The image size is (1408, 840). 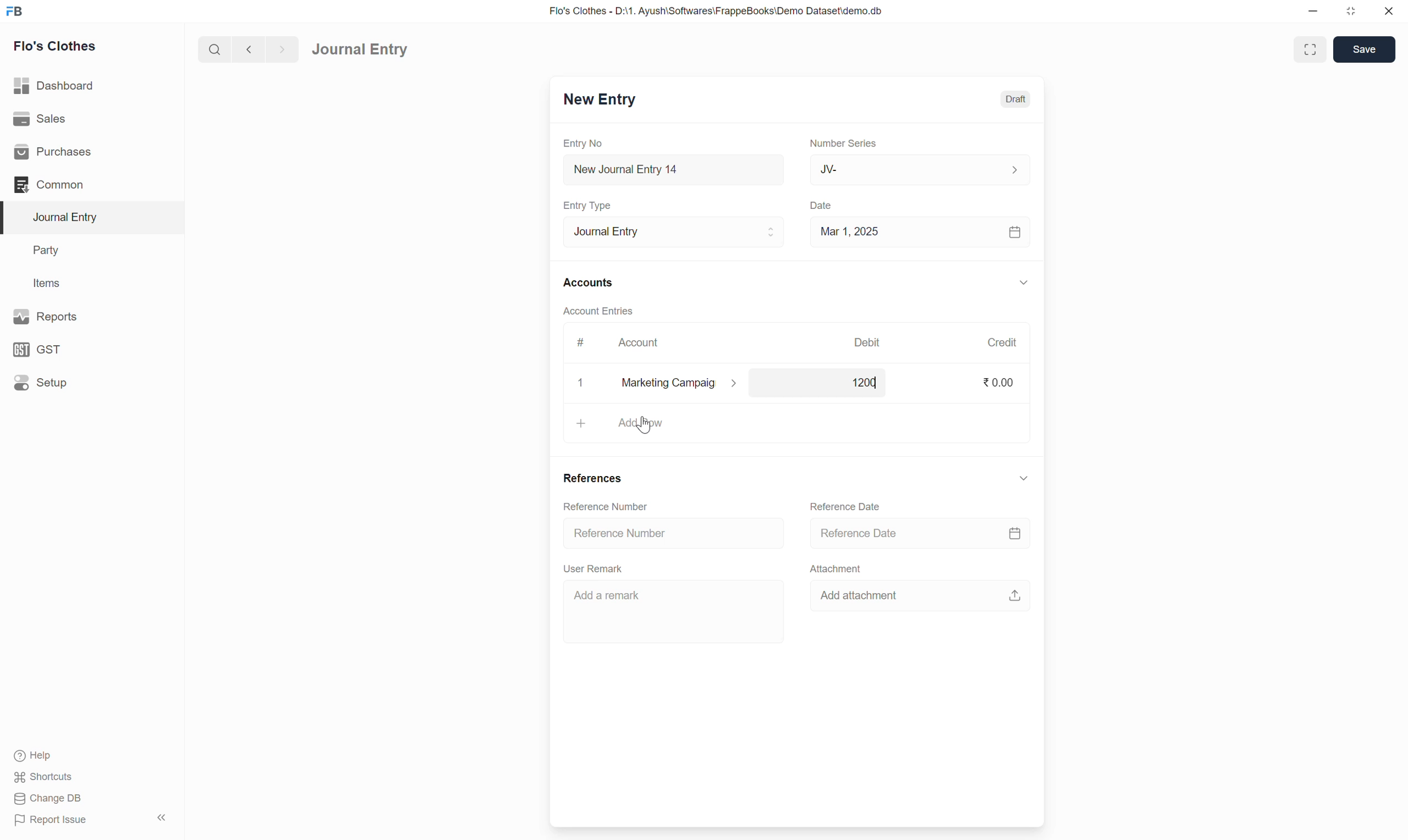 What do you see at coordinates (999, 382) in the screenshot?
I see `0.00` at bounding box center [999, 382].